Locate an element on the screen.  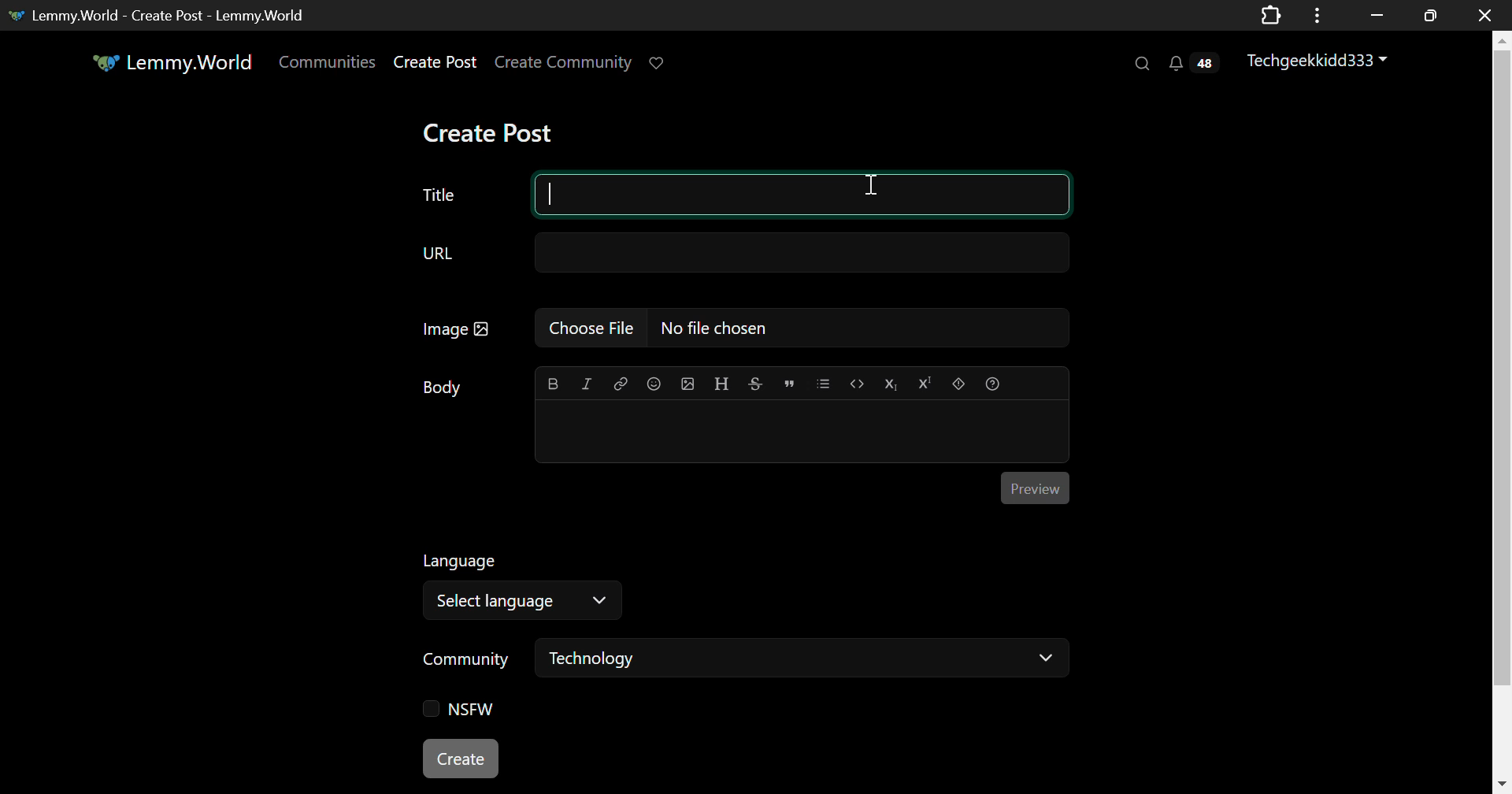
Vertical Scroll Bar is located at coordinates (1503, 412).